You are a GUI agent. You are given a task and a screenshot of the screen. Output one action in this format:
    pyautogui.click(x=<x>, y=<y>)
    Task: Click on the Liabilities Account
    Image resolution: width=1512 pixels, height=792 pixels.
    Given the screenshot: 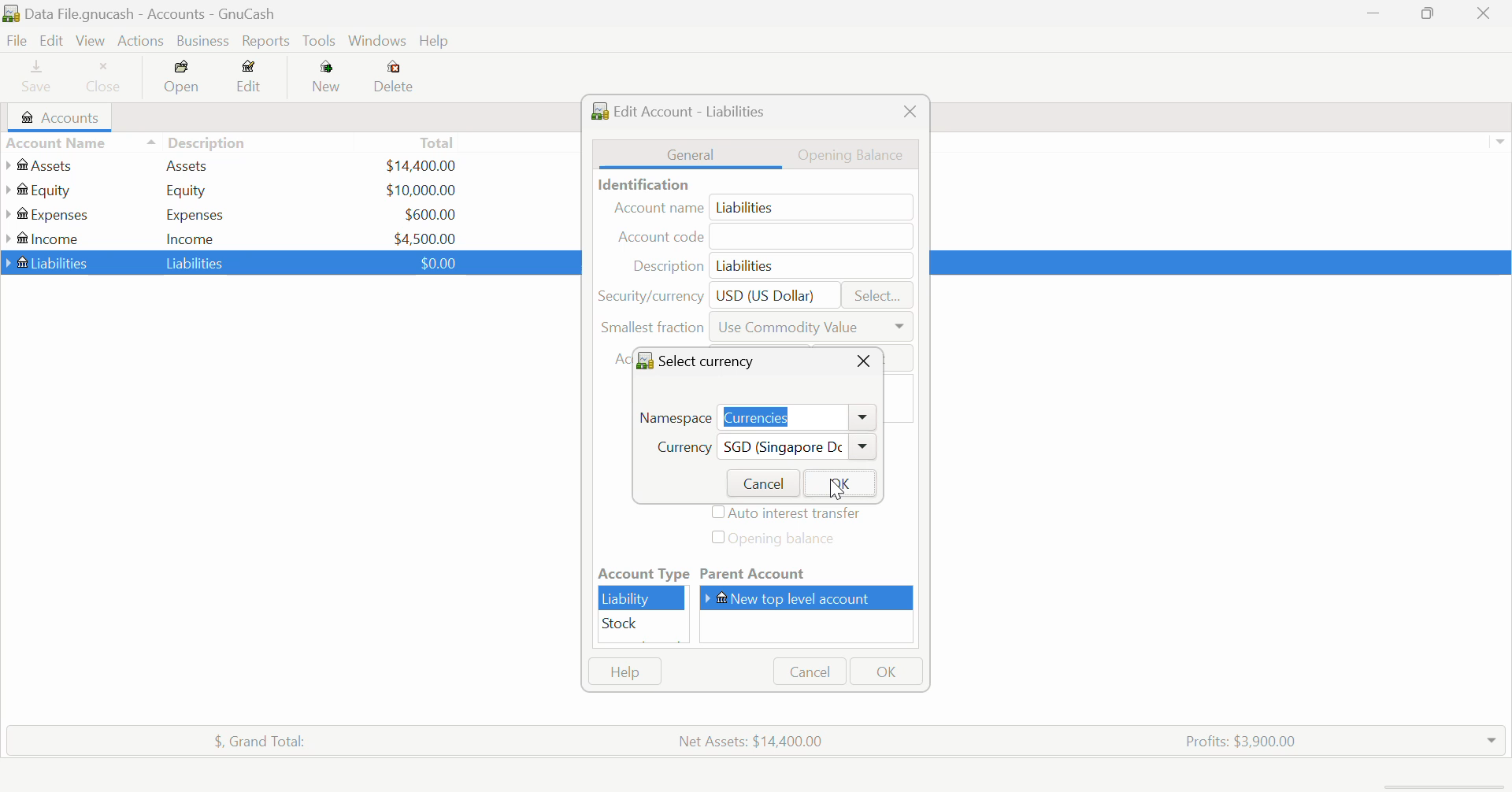 What is the action you would take?
    pyautogui.click(x=48, y=261)
    